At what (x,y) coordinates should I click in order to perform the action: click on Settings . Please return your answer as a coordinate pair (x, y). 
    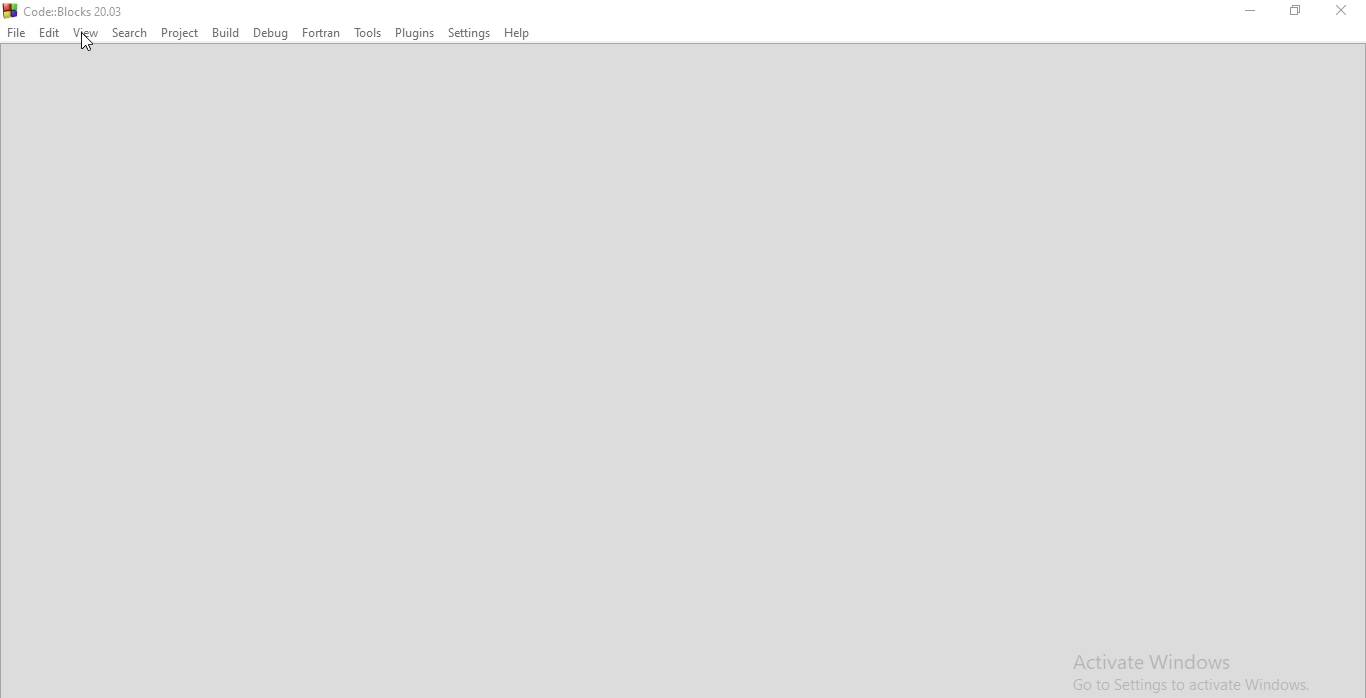
    Looking at the image, I should click on (469, 32).